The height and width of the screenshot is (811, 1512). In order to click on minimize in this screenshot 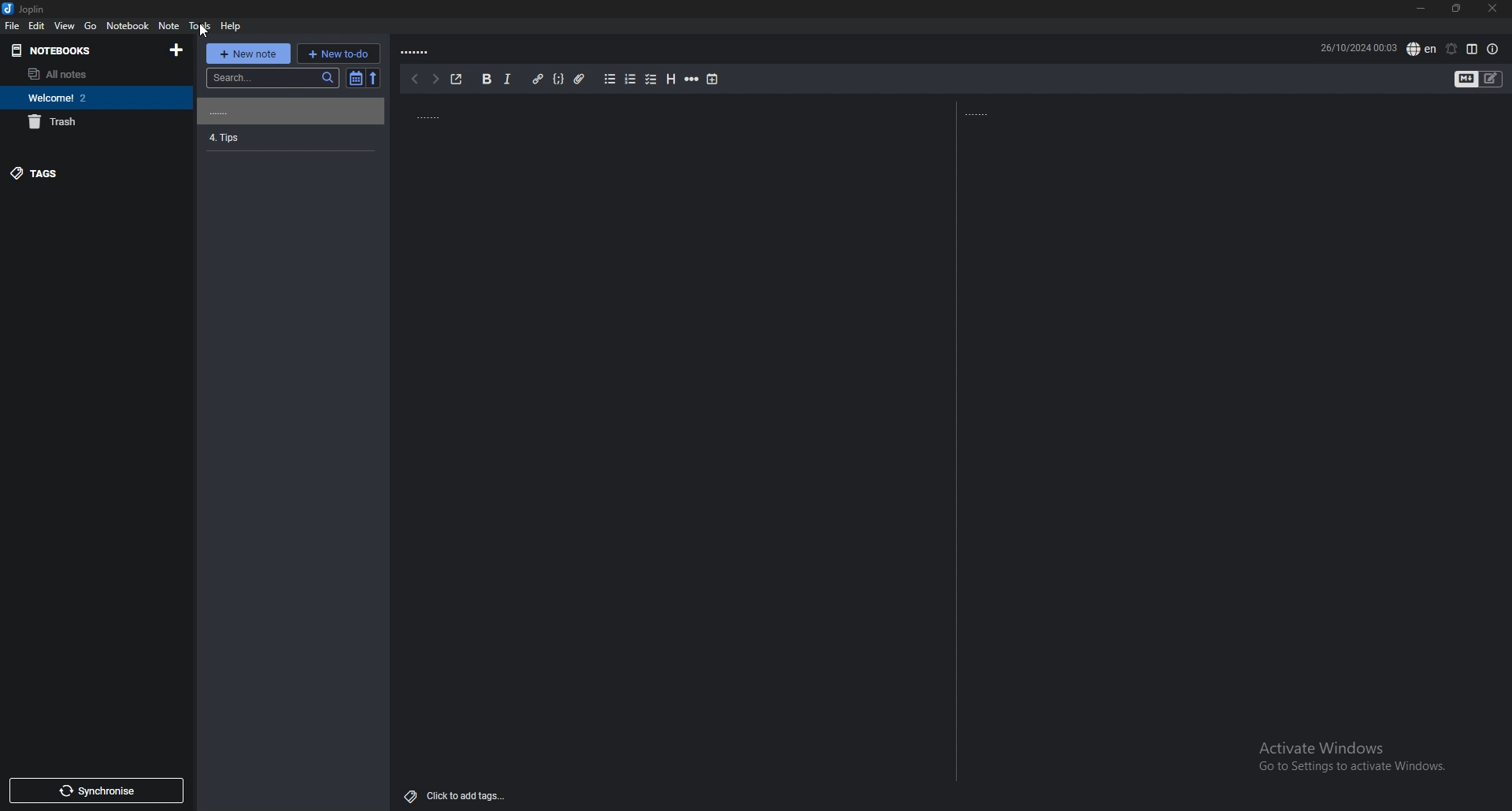, I will do `click(1420, 8)`.